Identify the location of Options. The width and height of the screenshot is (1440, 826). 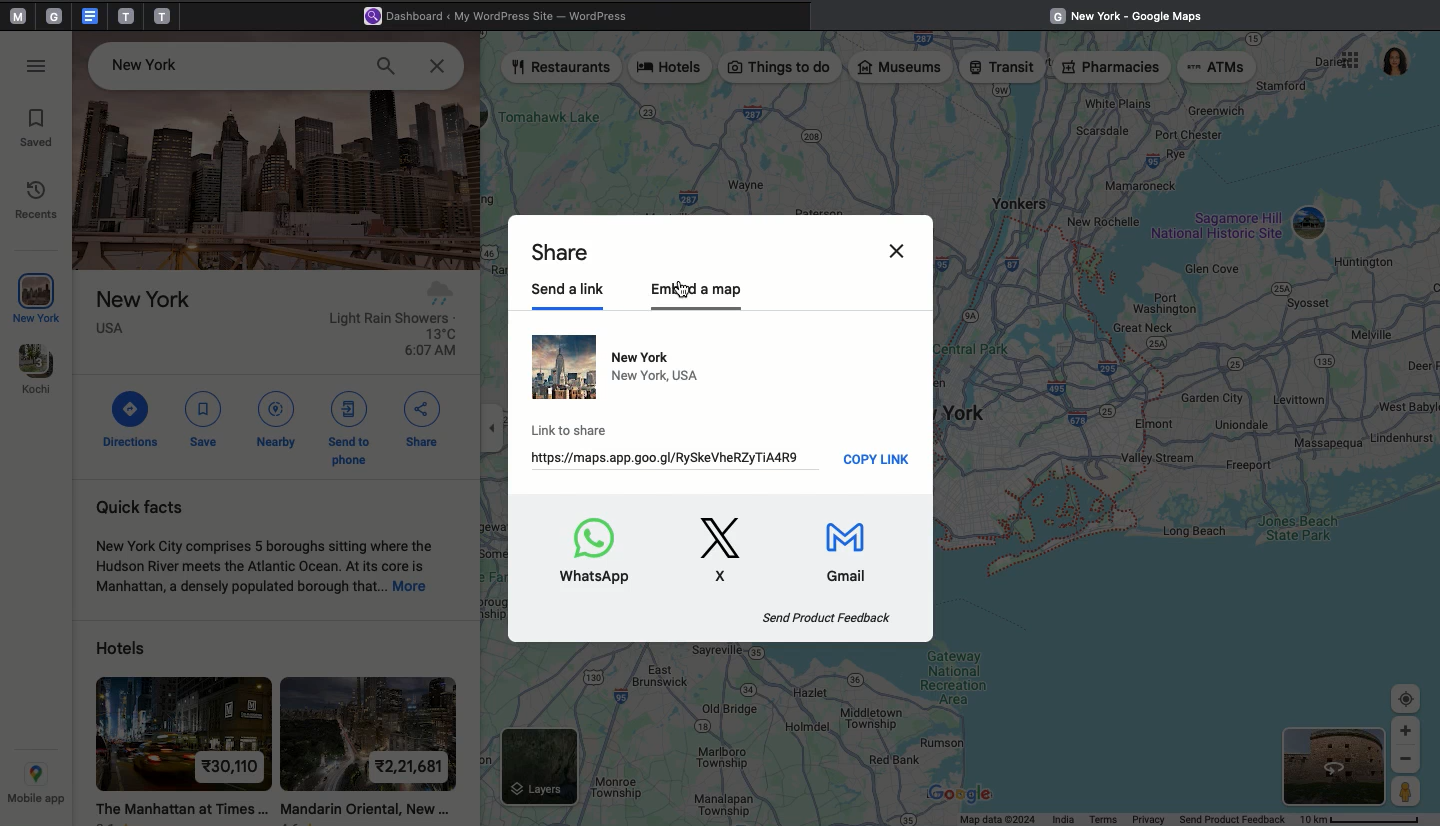
(39, 67).